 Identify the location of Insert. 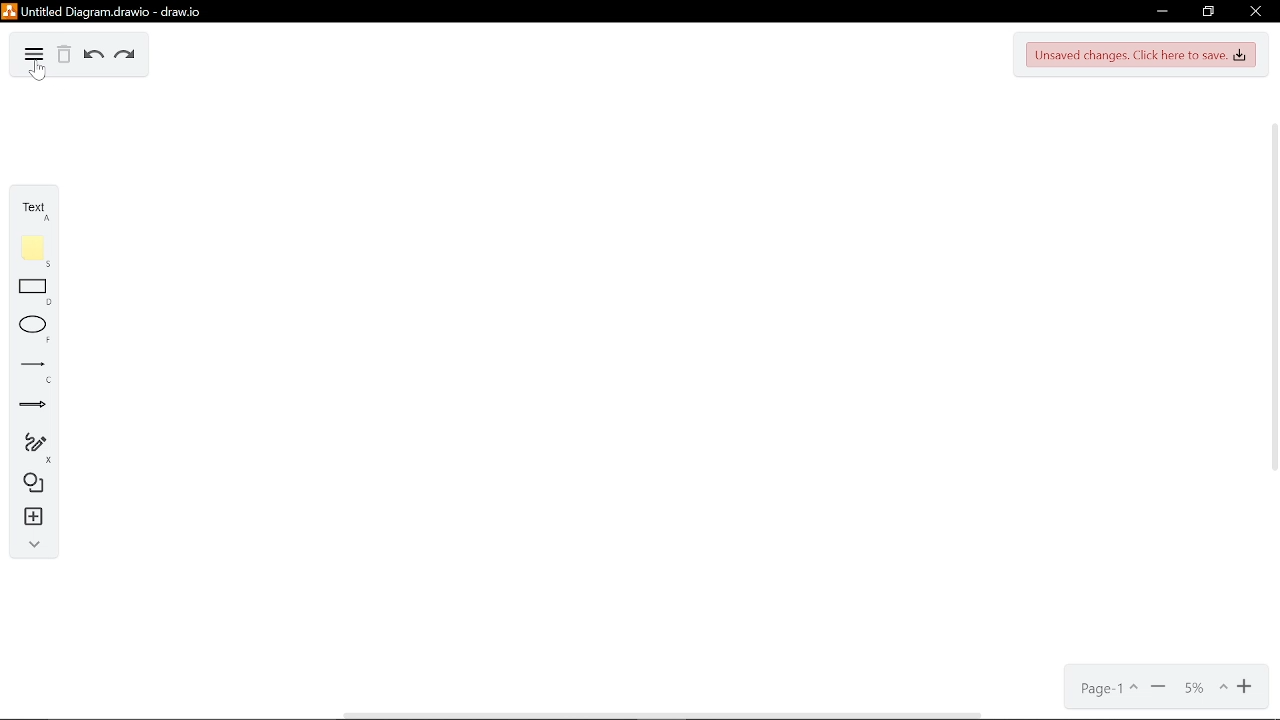
(27, 518).